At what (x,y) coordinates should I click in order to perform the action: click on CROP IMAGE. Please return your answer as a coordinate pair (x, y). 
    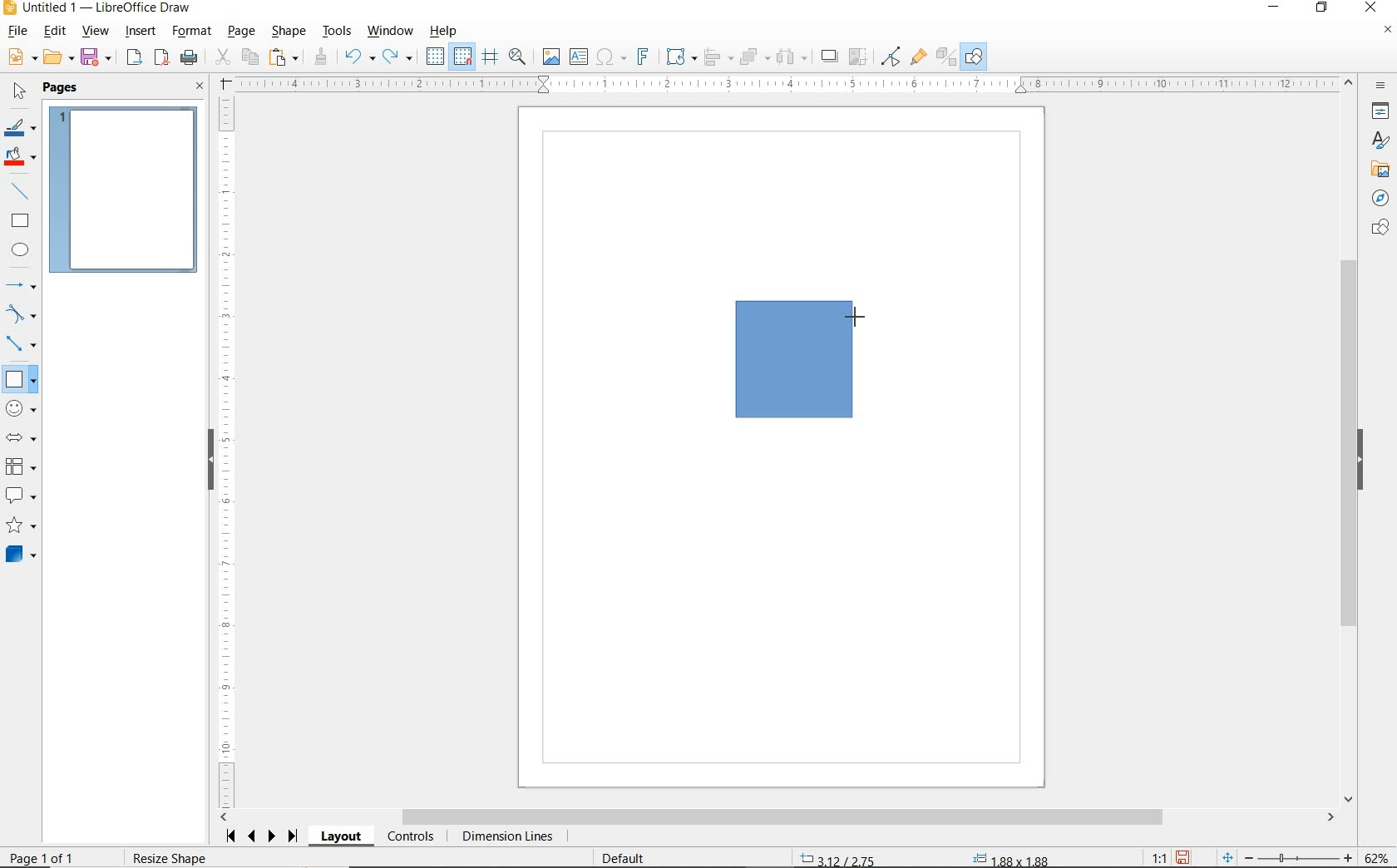
    Looking at the image, I should click on (859, 57).